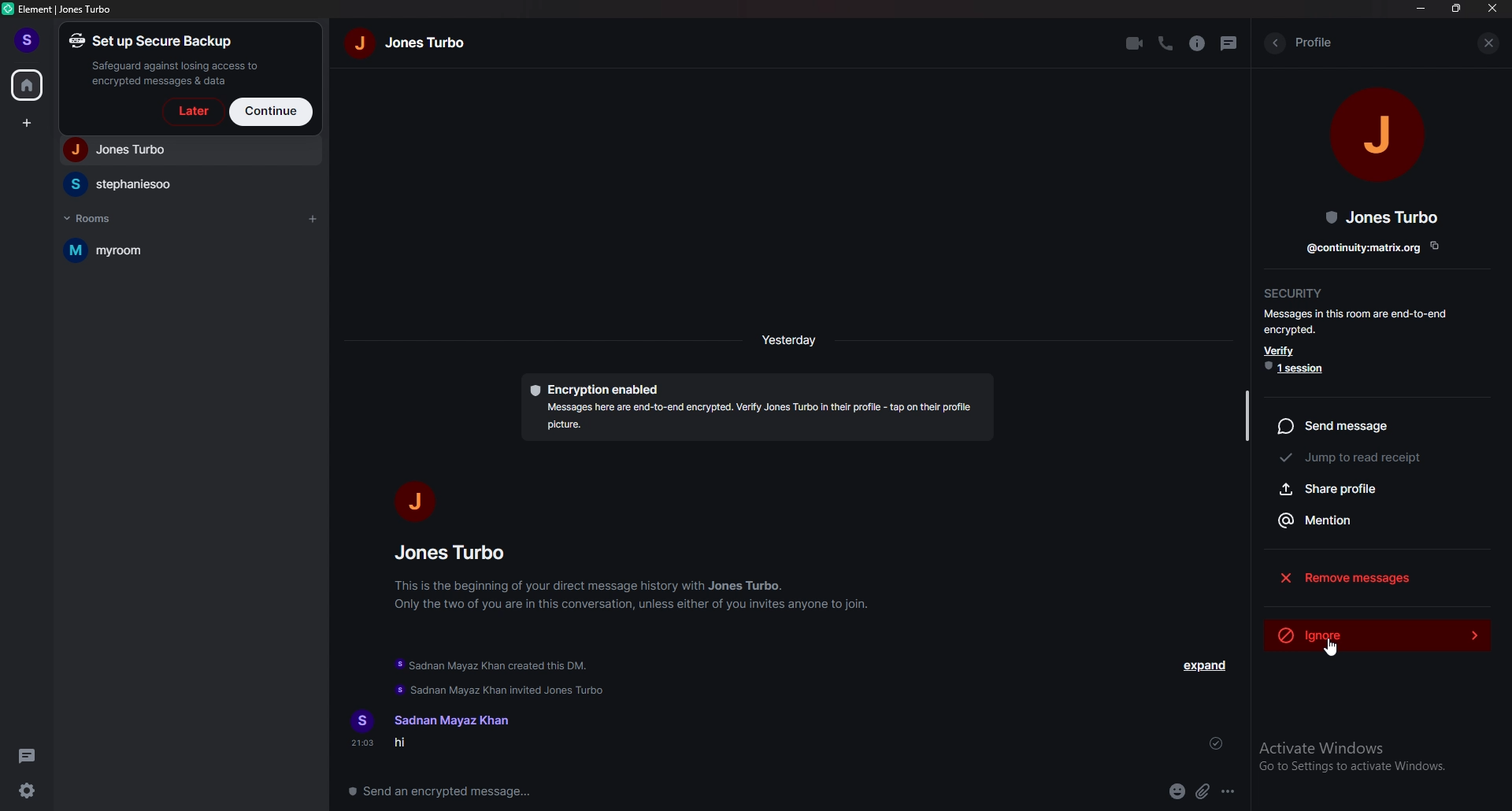 The width and height of the screenshot is (1512, 811). Describe the element at coordinates (791, 339) in the screenshot. I see `time` at that location.